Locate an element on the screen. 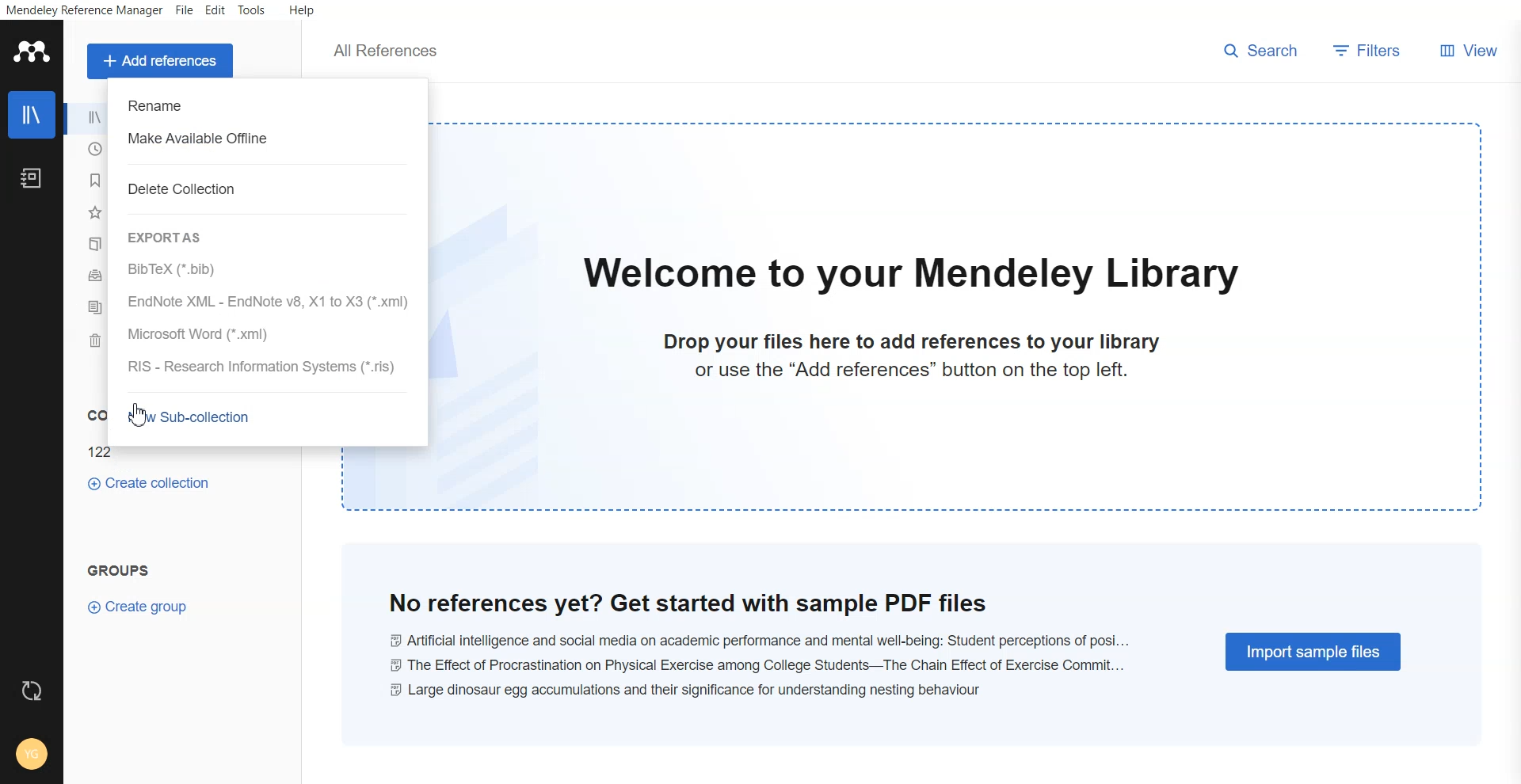 The height and width of the screenshot is (784, 1521). Help is located at coordinates (302, 10).